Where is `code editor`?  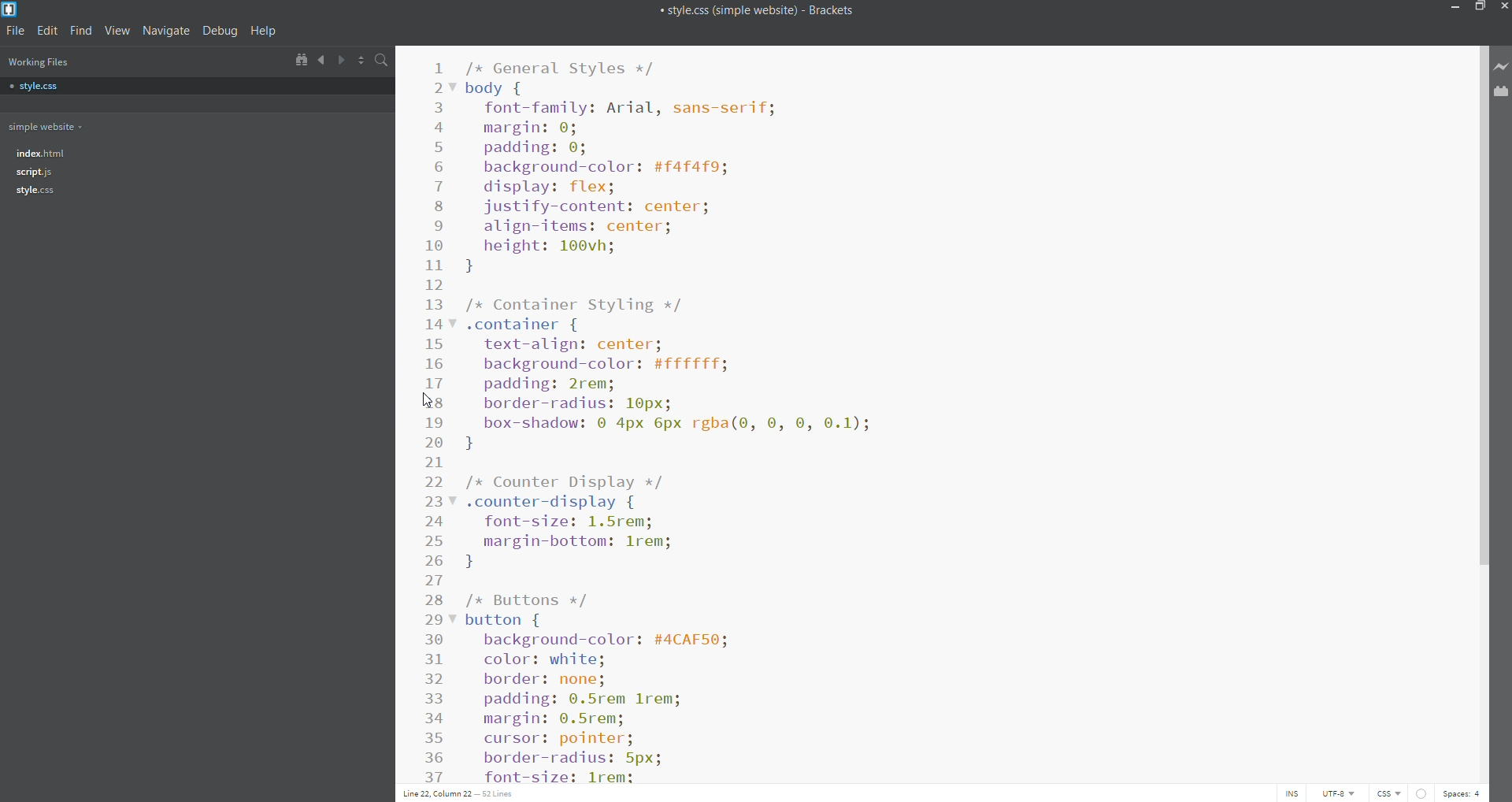
code editor is located at coordinates (962, 418).